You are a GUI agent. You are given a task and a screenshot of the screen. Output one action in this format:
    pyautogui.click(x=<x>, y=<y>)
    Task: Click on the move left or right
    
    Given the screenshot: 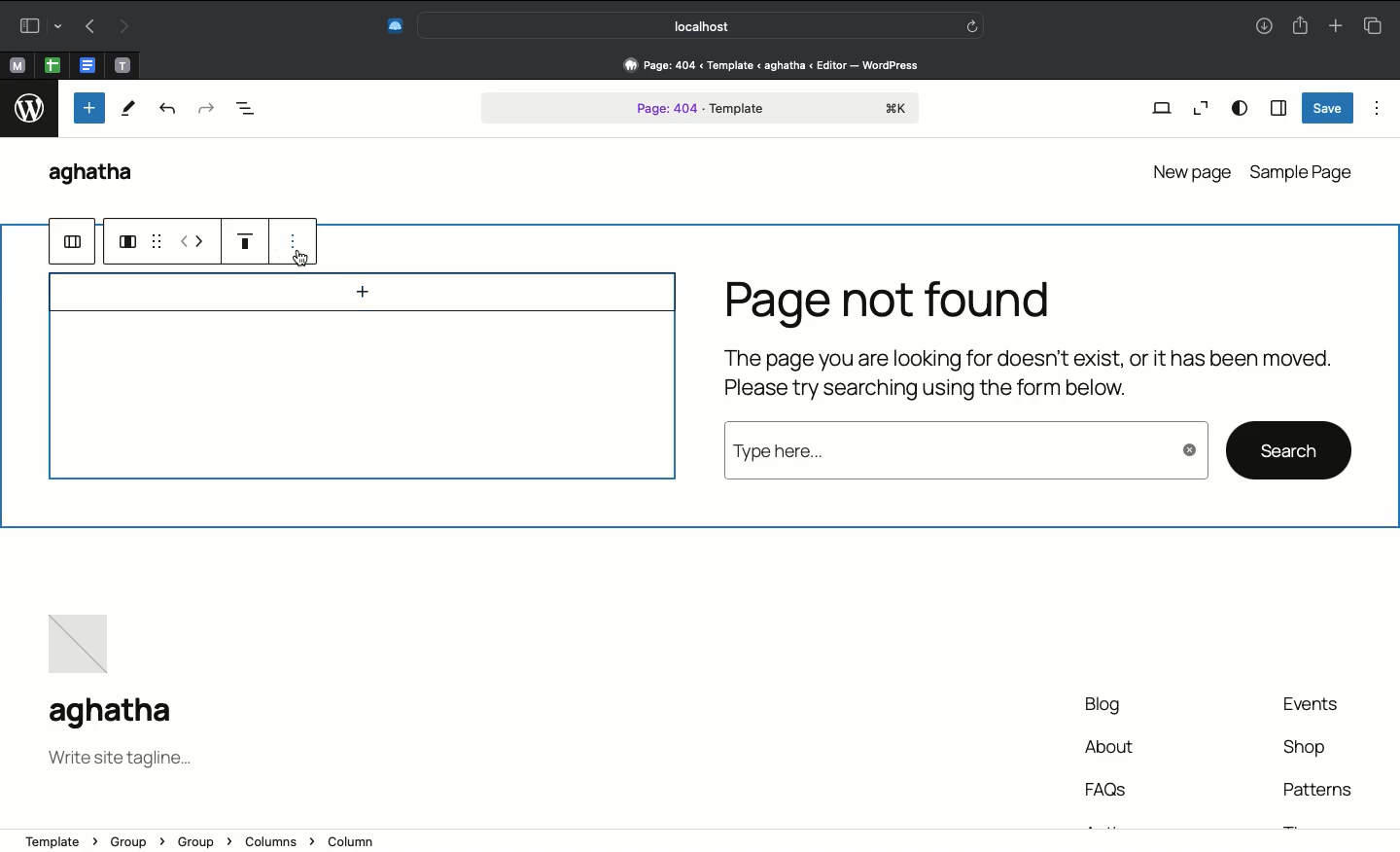 What is the action you would take?
    pyautogui.click(x=192, y=240)
    